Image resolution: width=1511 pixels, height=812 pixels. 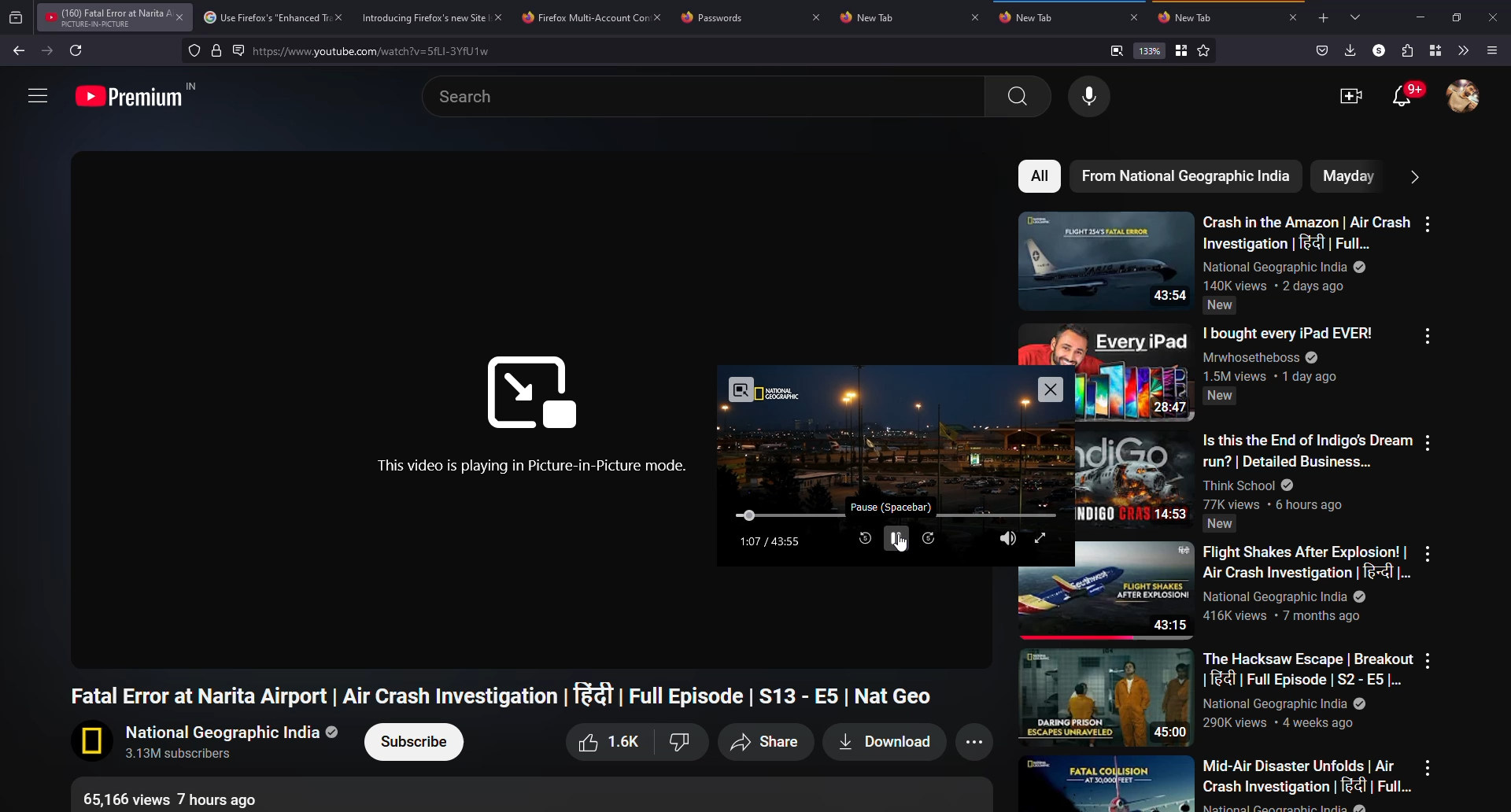 What do you see at coordinates (264, 18) in the screenshot?
I see `Use Firefox tab` at bounding box center [264, 18].